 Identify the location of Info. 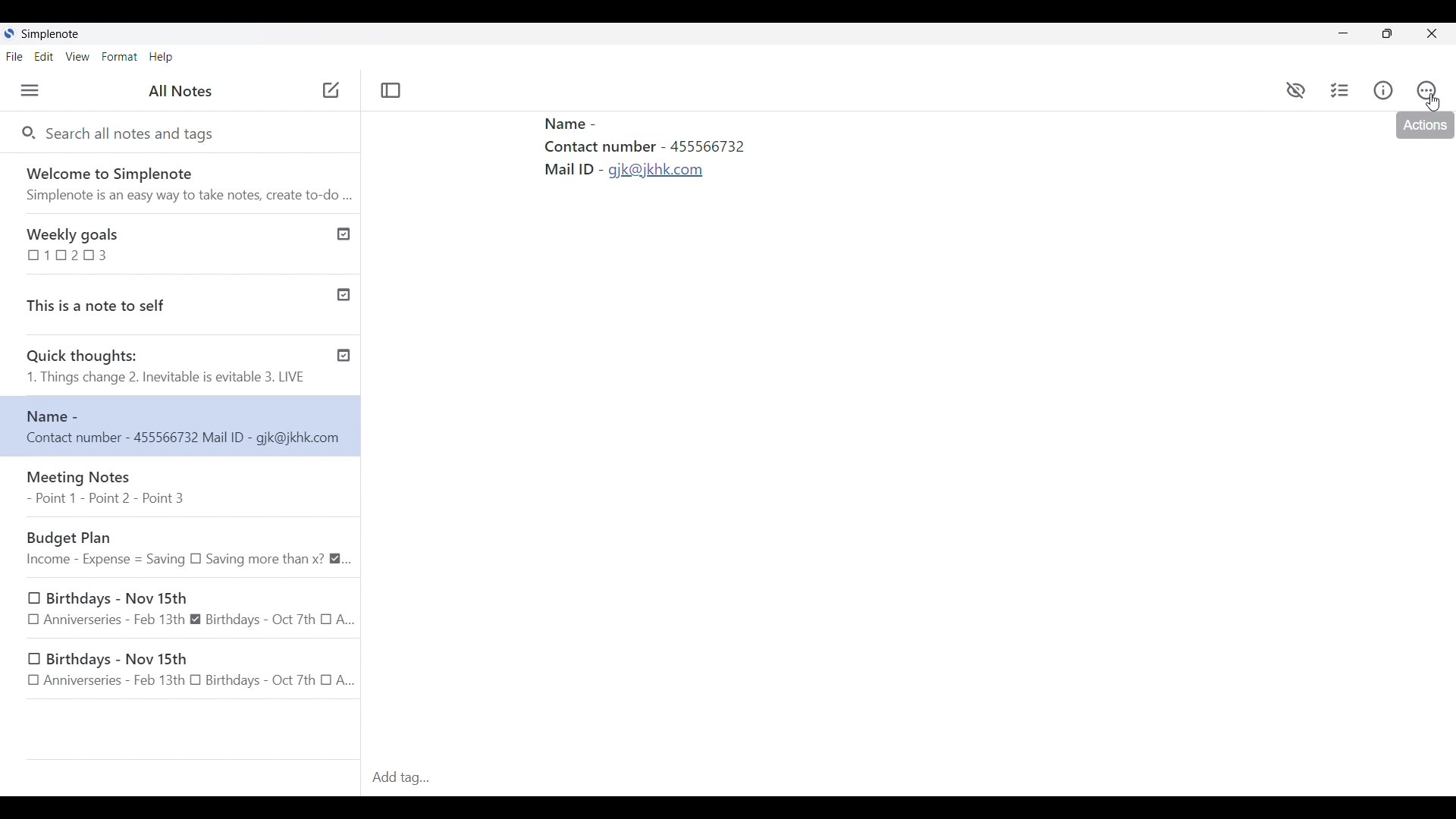
(1383, 90).